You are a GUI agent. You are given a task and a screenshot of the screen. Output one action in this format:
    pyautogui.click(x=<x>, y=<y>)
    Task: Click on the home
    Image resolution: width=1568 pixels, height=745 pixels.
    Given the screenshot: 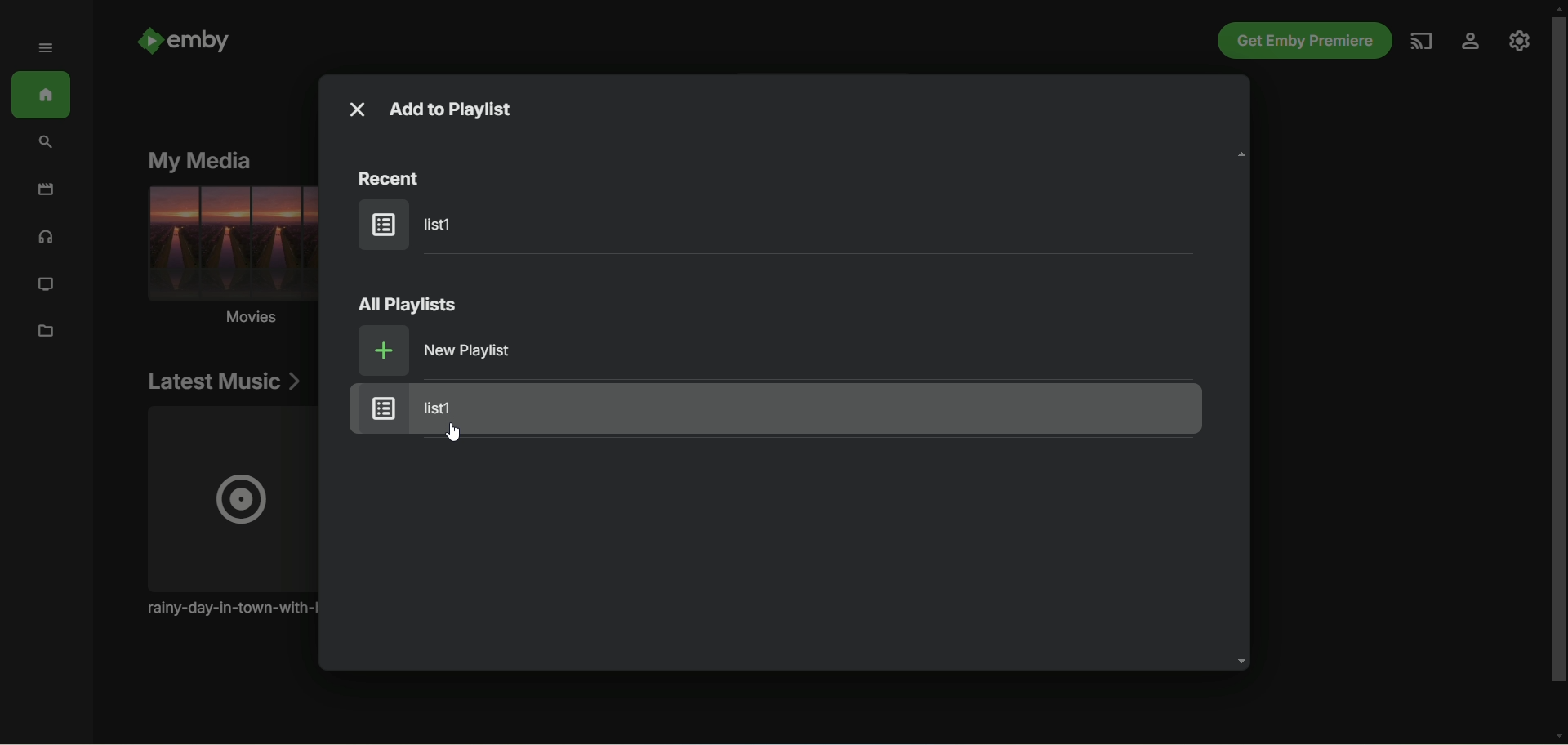 What is the action you would take?
    pyautogui.click(x=42, y=95)
    